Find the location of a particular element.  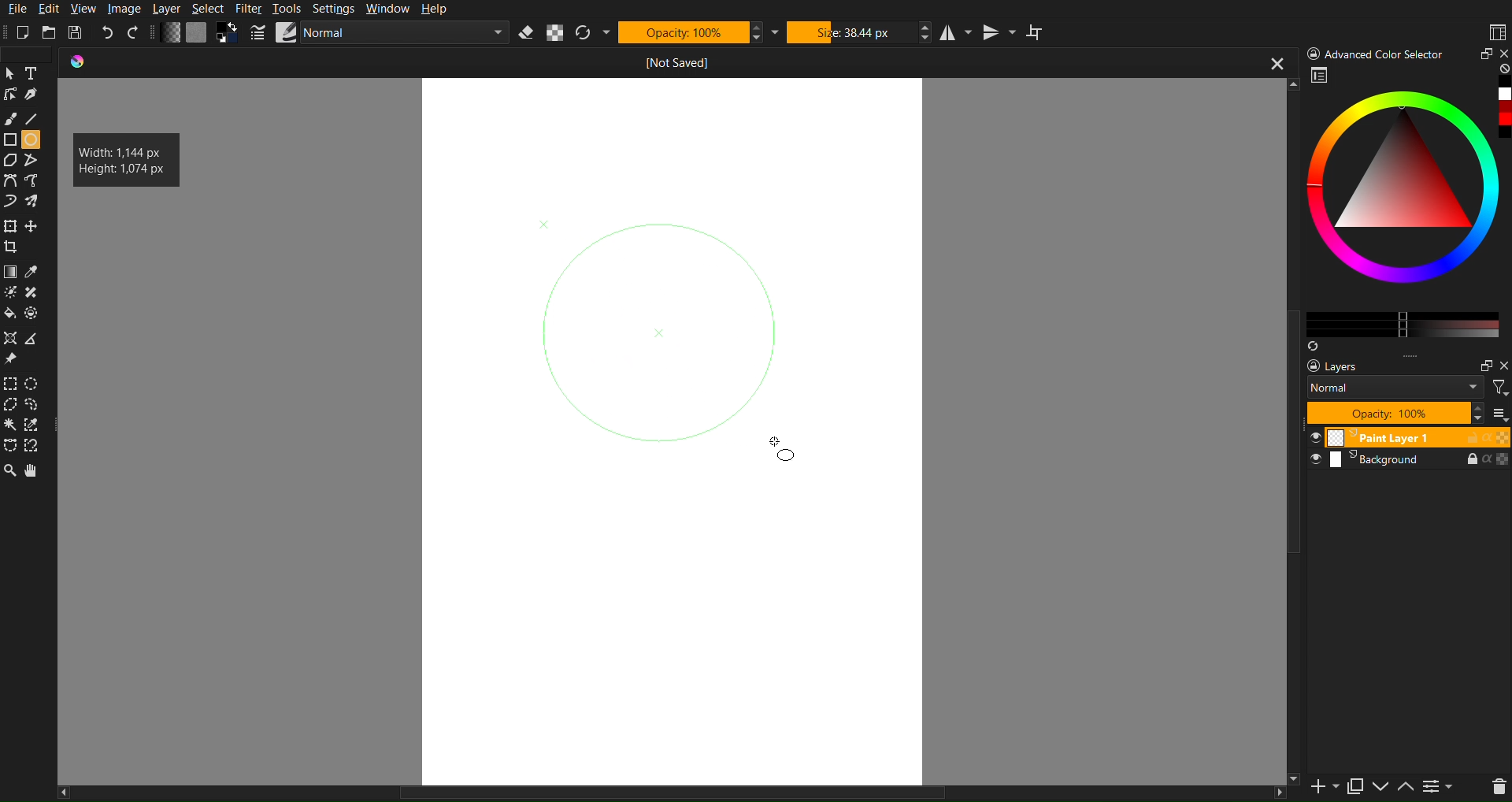

Shape Tools is located at coordinates (9, 142).